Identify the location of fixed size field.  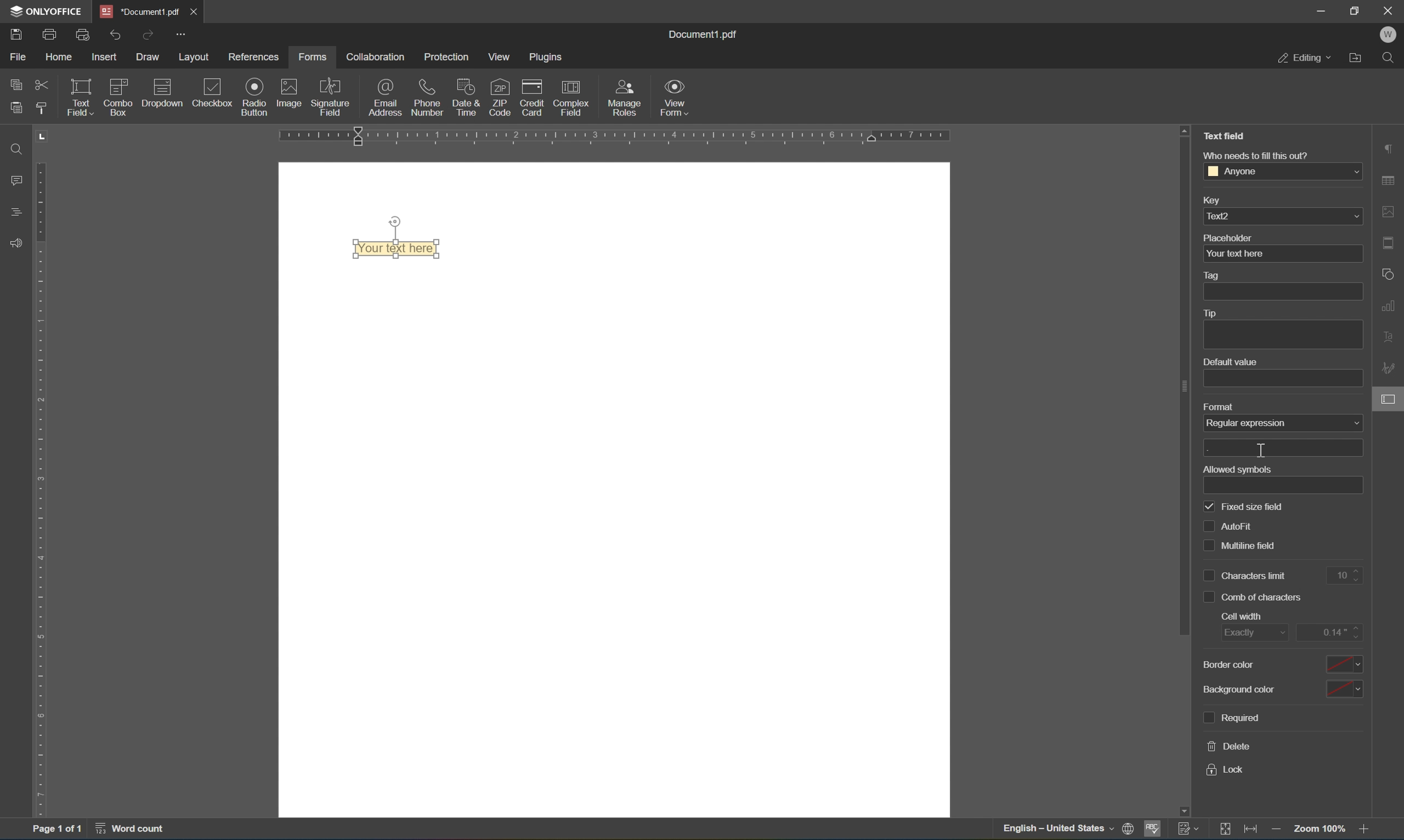
(1243, 507).